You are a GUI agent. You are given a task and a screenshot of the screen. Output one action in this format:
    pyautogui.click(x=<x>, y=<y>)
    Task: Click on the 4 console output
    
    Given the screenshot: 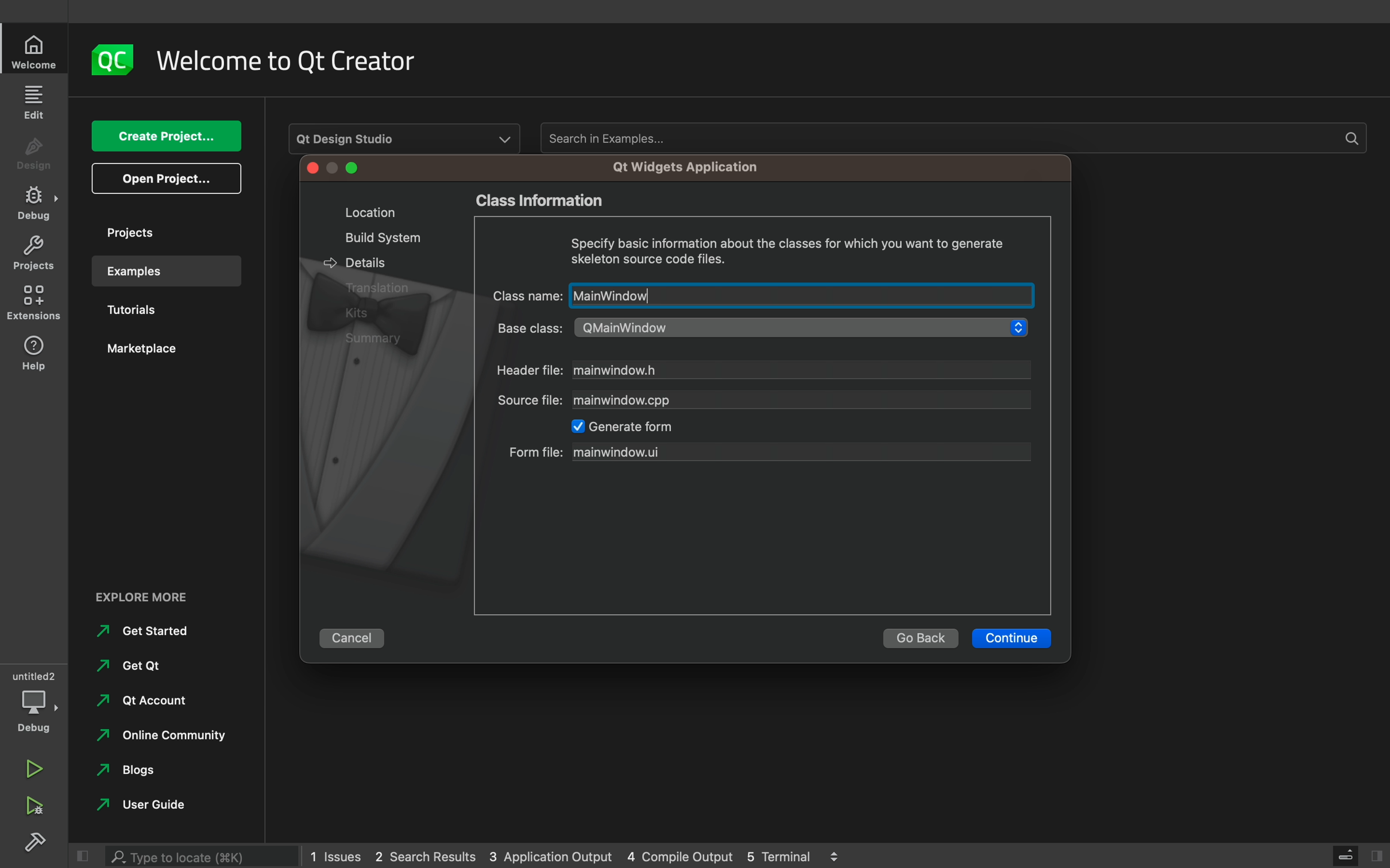 What is the action you would take?
    pyautogui.click(x=682, y=857)
    